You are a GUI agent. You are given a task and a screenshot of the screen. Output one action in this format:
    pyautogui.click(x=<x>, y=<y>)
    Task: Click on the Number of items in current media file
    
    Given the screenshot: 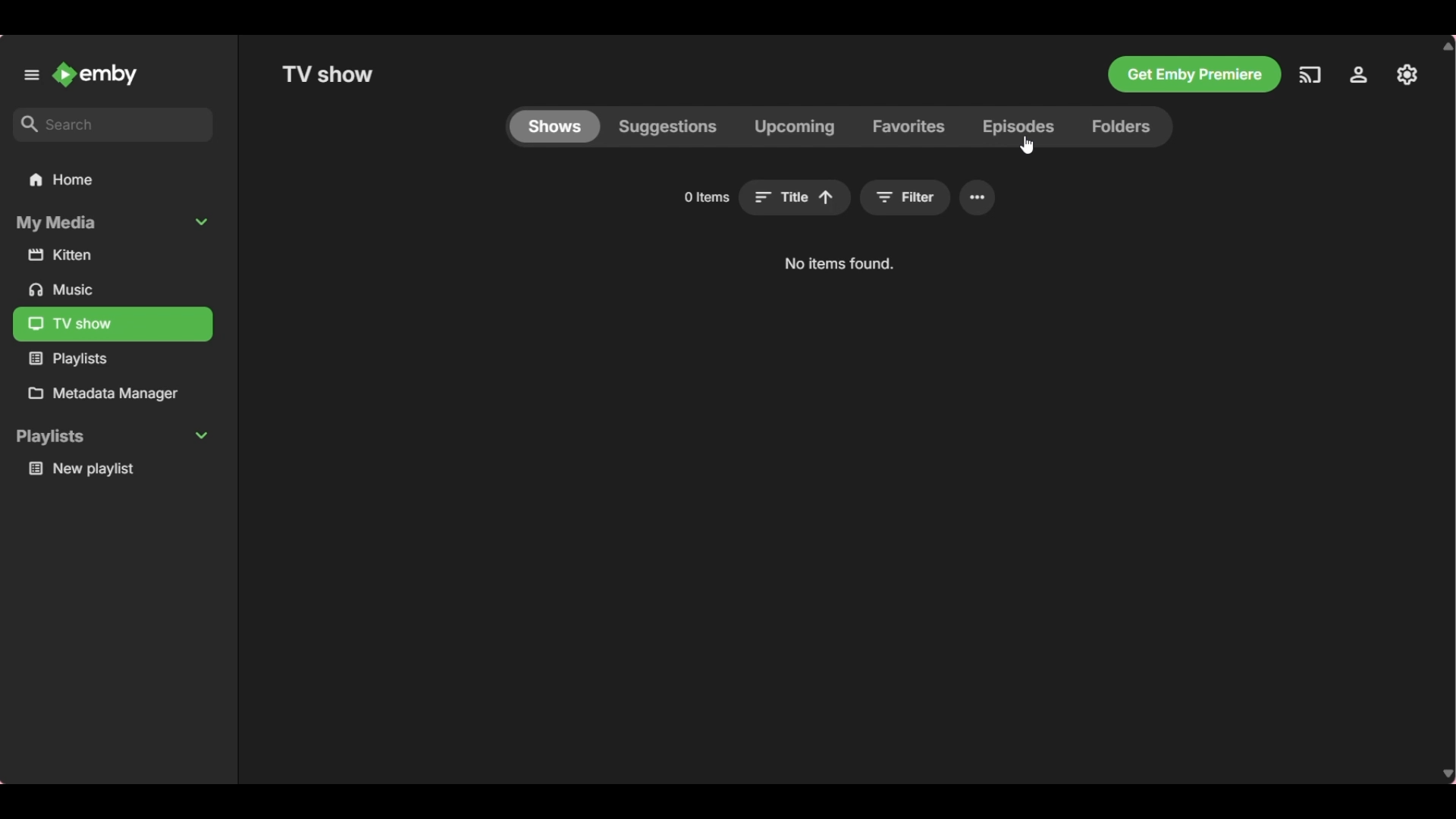 What is the action you would take?
    pyautogui.click(x=706, y=197)
    